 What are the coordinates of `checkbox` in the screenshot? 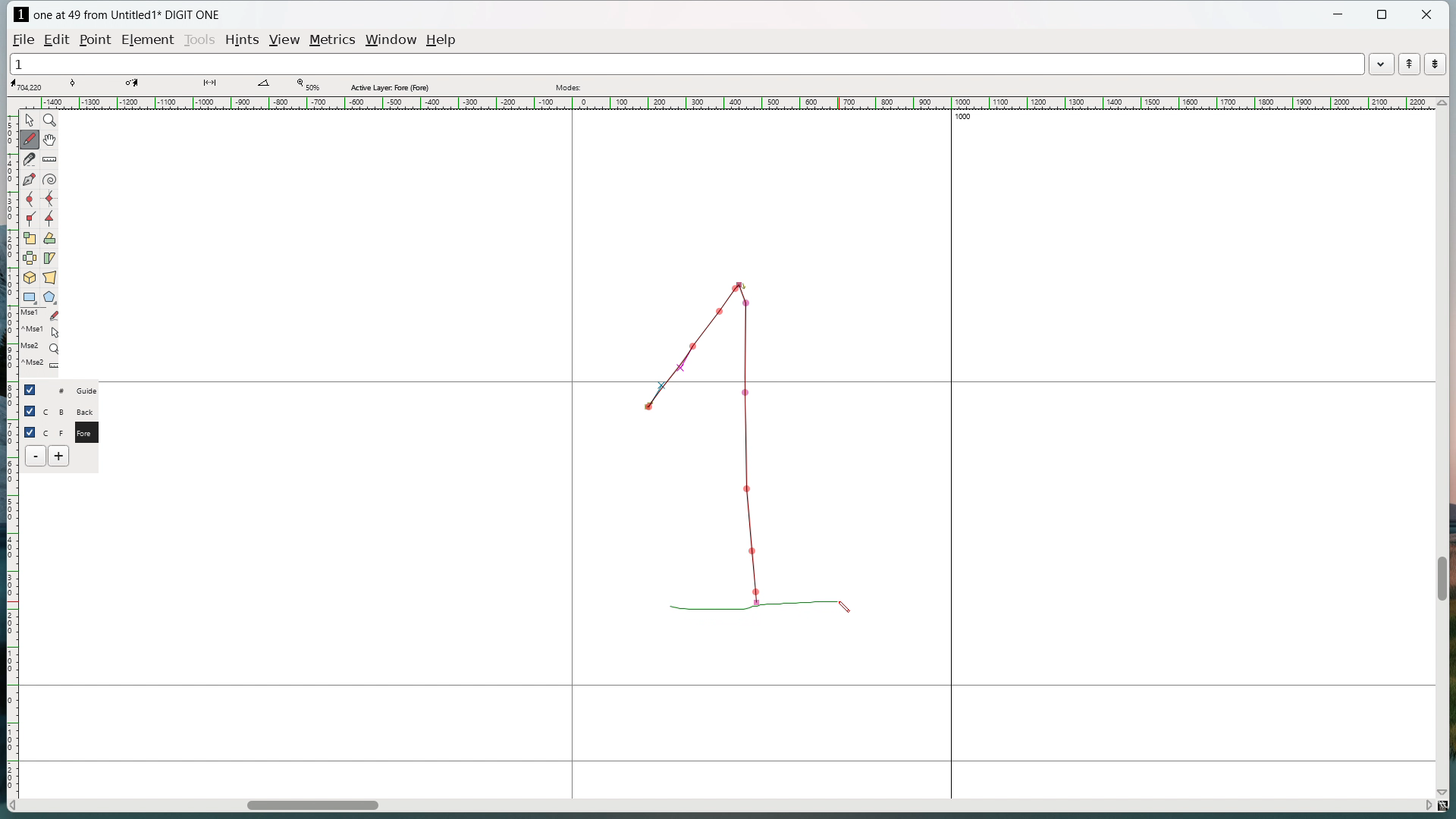 It's located at (30, 431).